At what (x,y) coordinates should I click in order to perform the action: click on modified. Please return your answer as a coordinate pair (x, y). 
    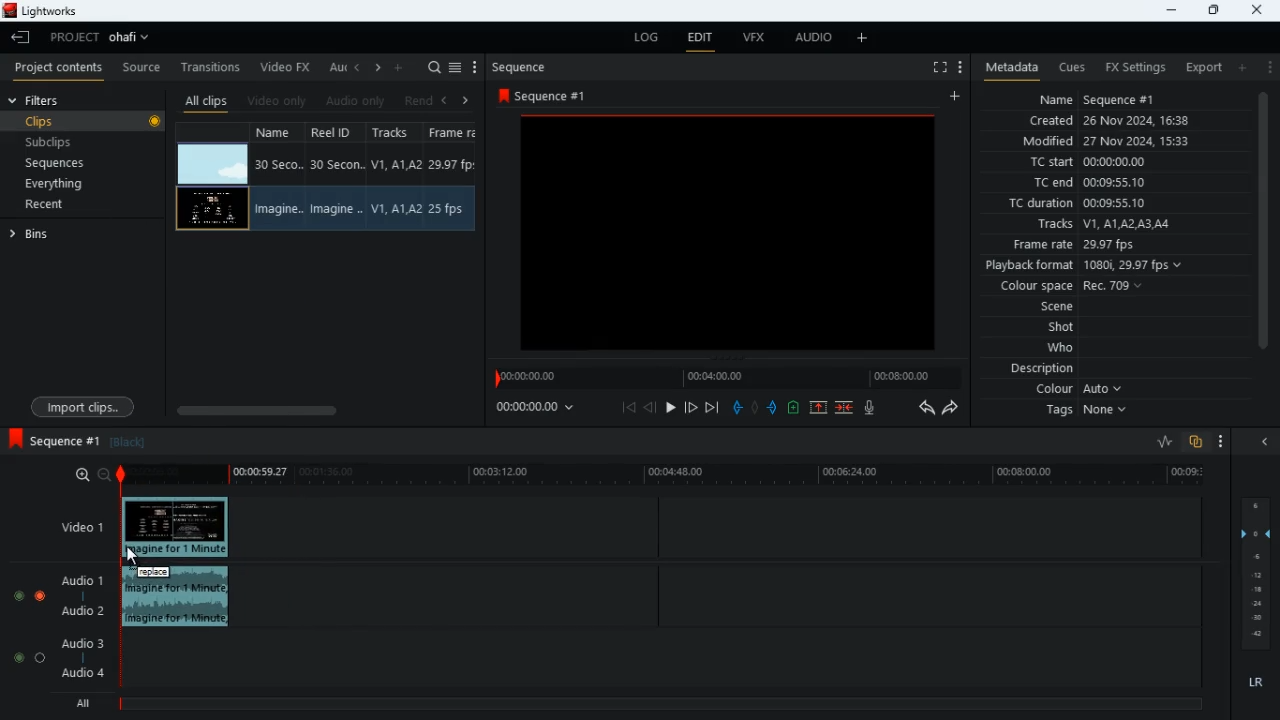
    Looking at the image, I should click on (1106, 141).